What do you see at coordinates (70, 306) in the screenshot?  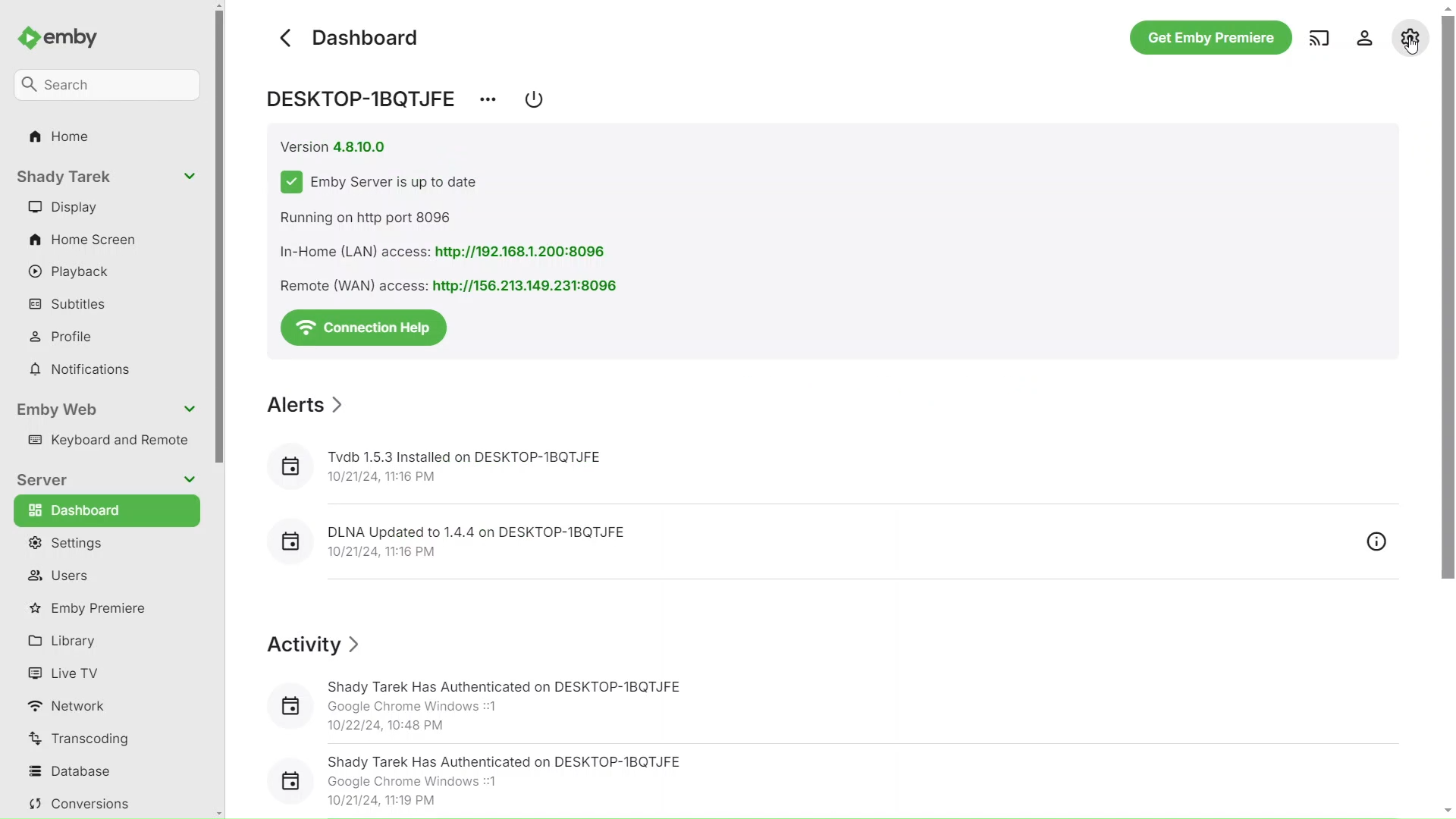 I see `Subtitles` at bounding box center [70, 306].